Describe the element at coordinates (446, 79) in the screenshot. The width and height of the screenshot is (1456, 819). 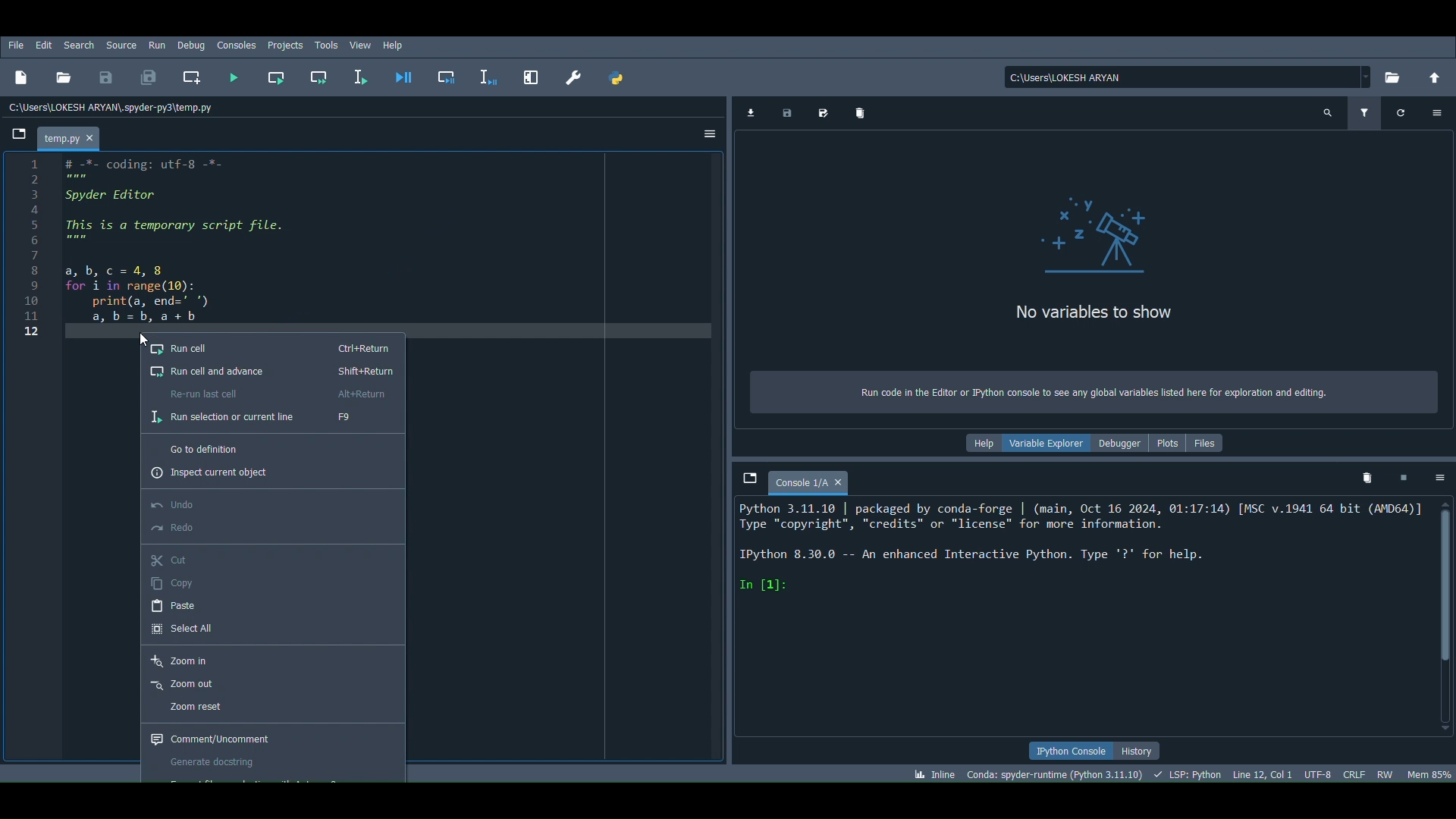
I see `Debug cell` at that location.